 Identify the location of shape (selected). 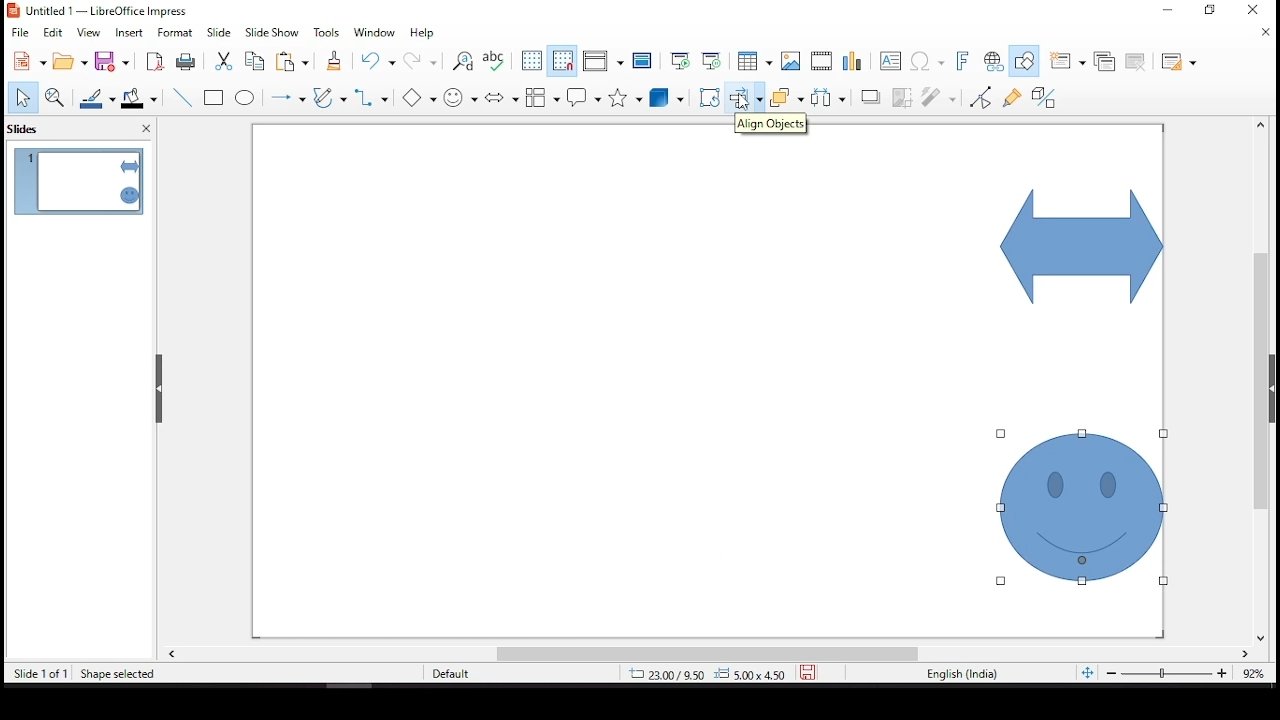
(1075, 246).